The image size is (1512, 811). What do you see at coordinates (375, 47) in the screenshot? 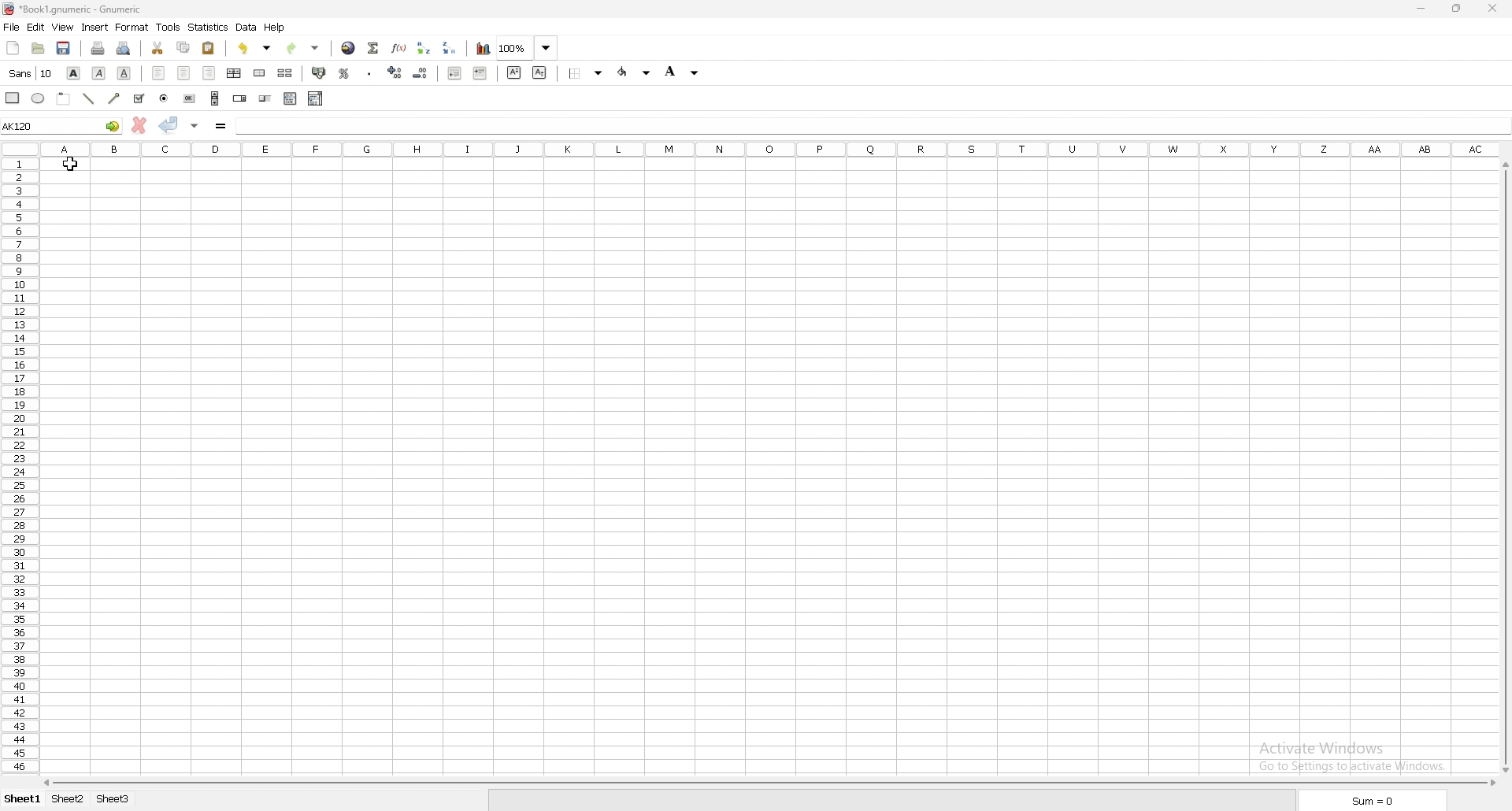
I see `summation` at bounding box center [375, 47].